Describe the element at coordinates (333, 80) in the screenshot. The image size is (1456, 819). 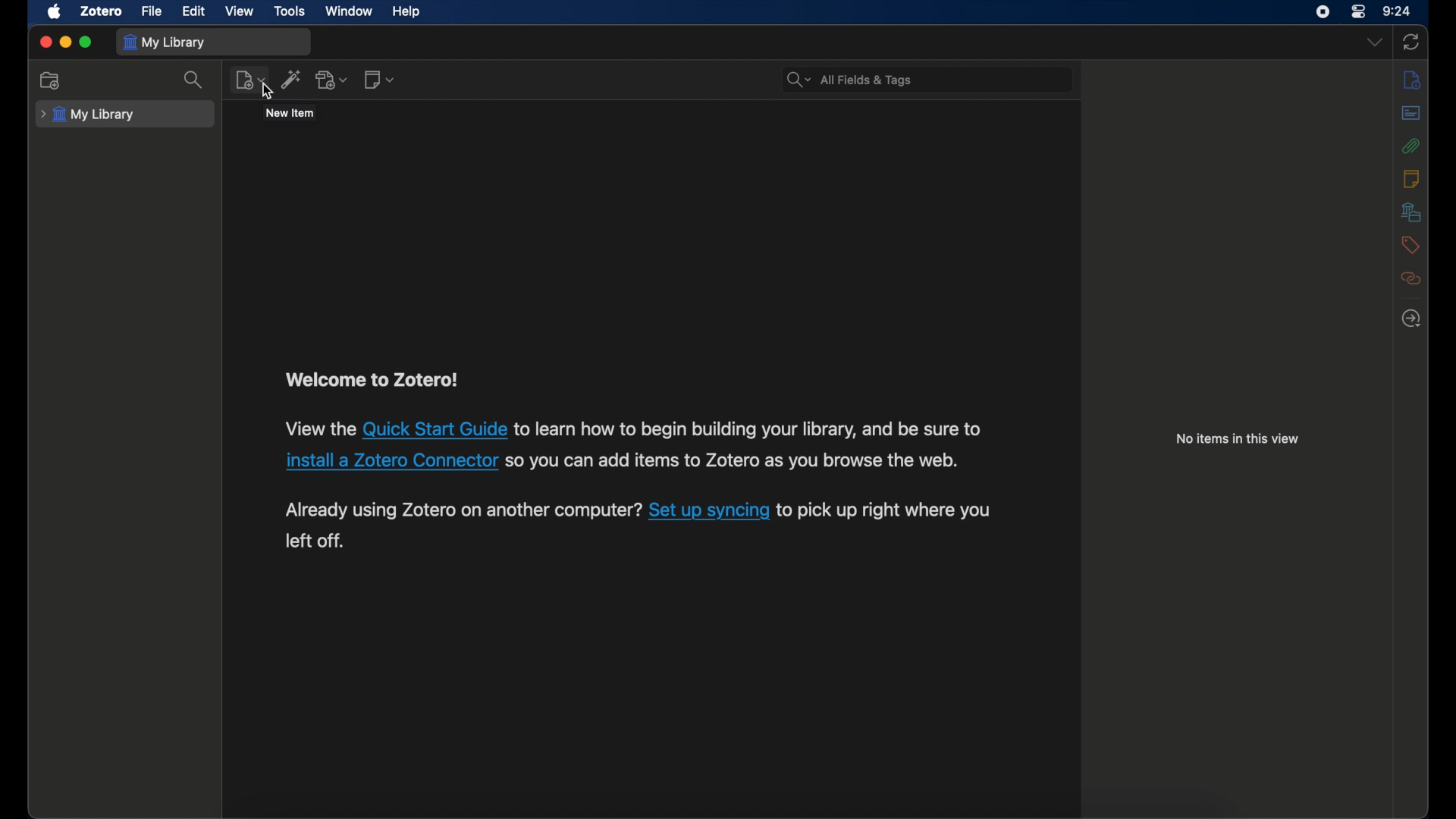
I see `add attachment` at that location.